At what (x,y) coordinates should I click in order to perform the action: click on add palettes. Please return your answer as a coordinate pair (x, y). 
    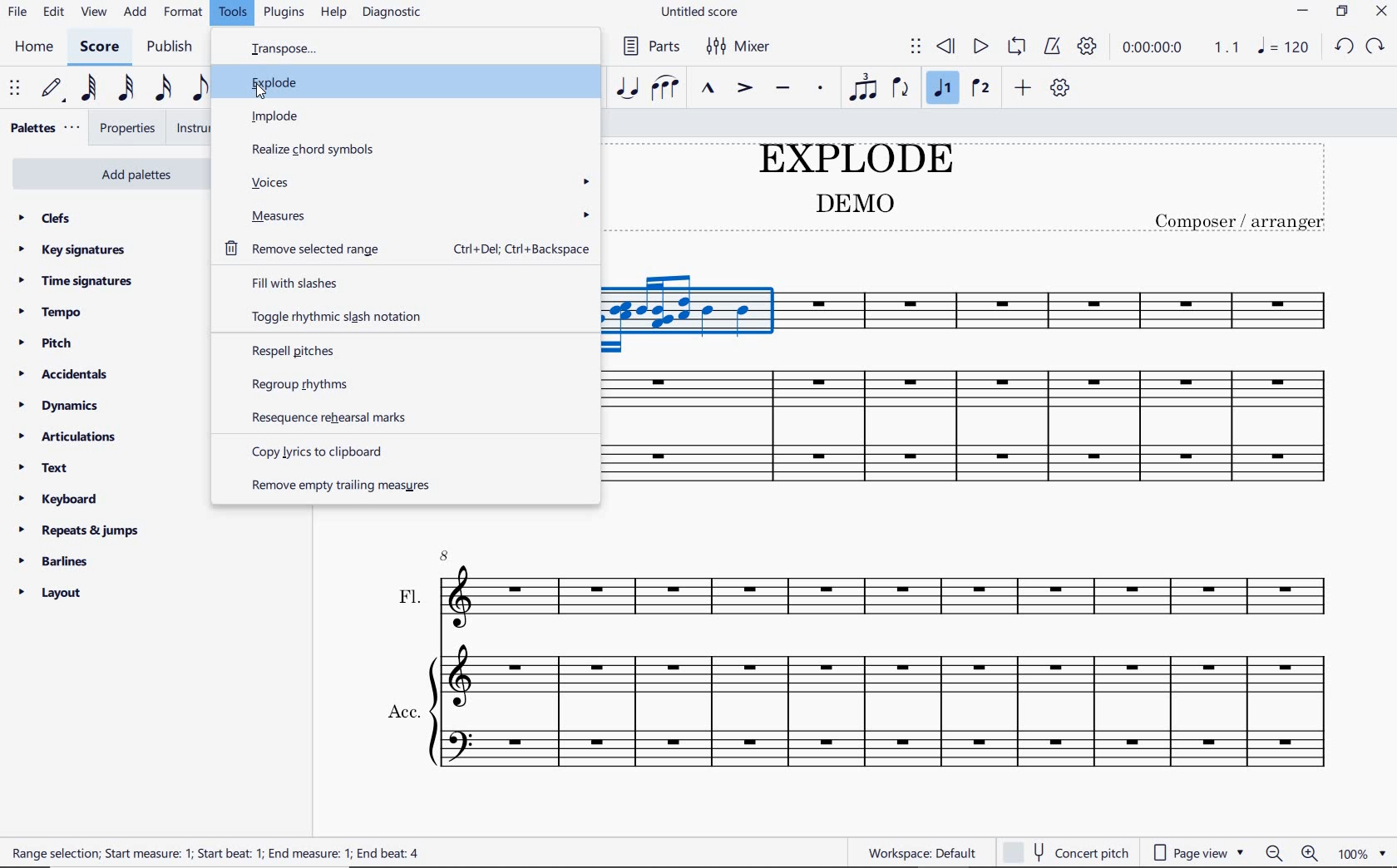
    Looking at the image, I should click on (105, 175).